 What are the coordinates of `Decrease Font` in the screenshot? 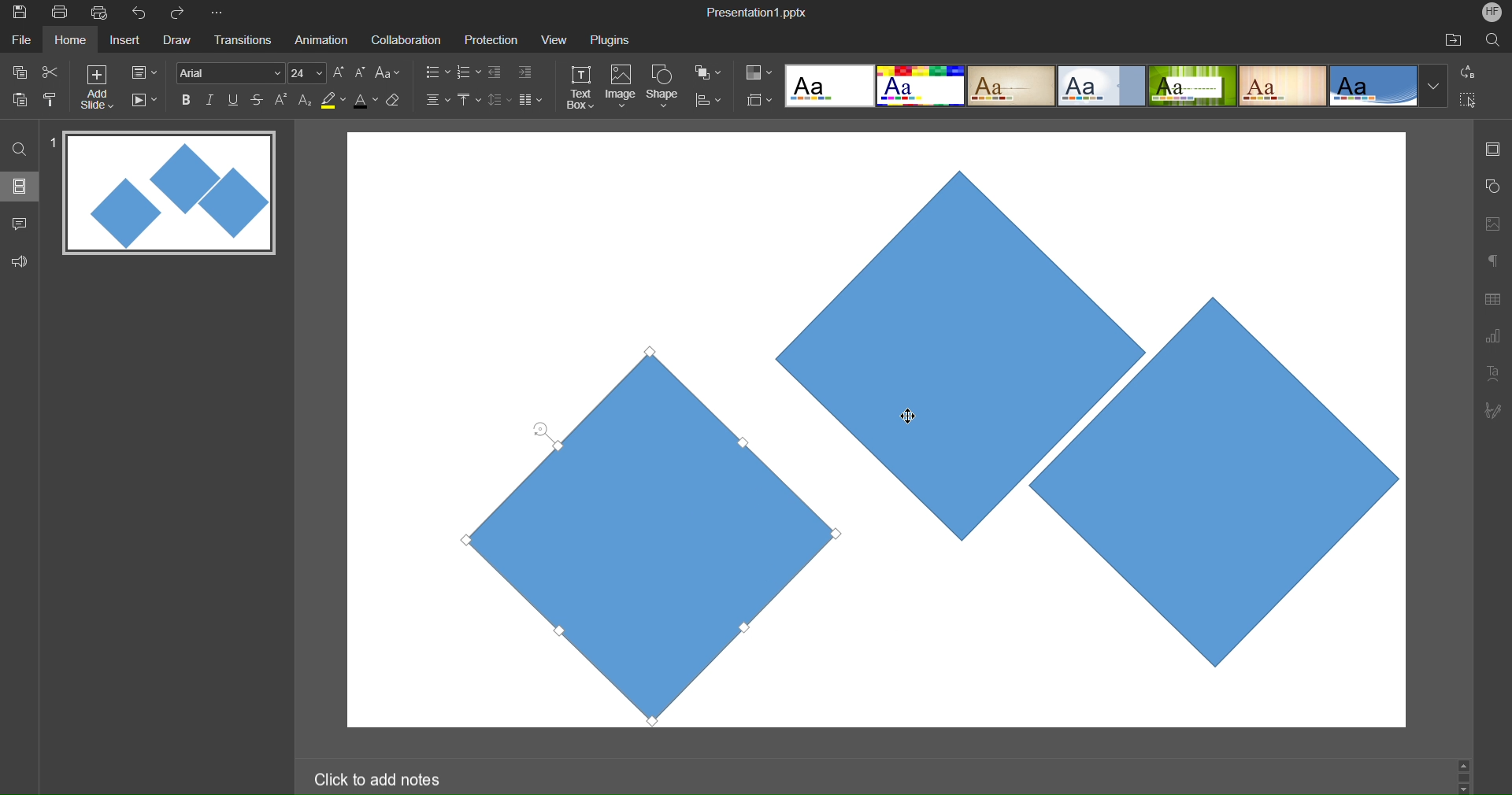 It's located at (361, 72).